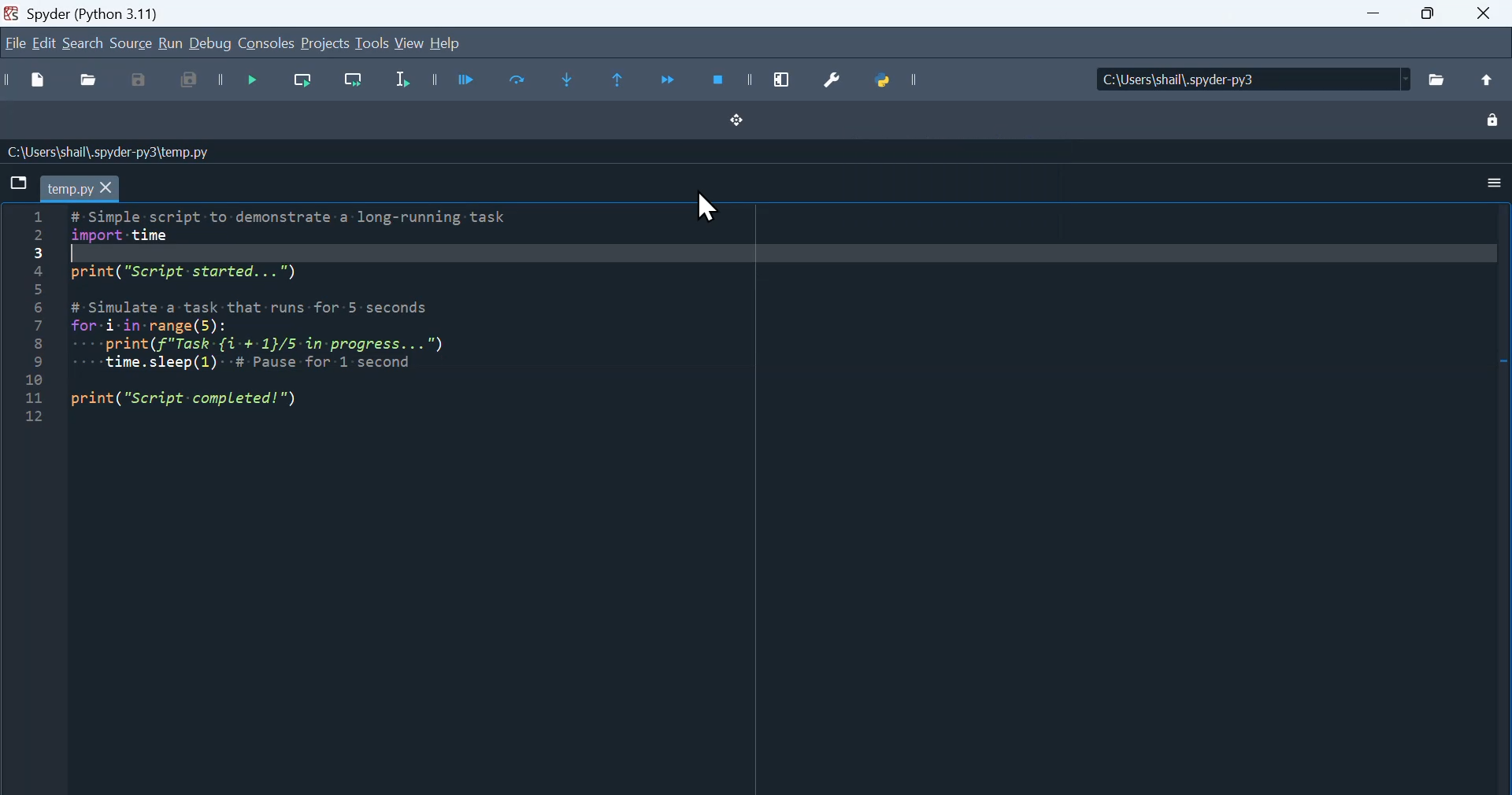 This screenshot has width=1512, height=795. What do you see at coordinates (409, 43) in the screenshot?
I see `View` at bounding box center [409, 43].